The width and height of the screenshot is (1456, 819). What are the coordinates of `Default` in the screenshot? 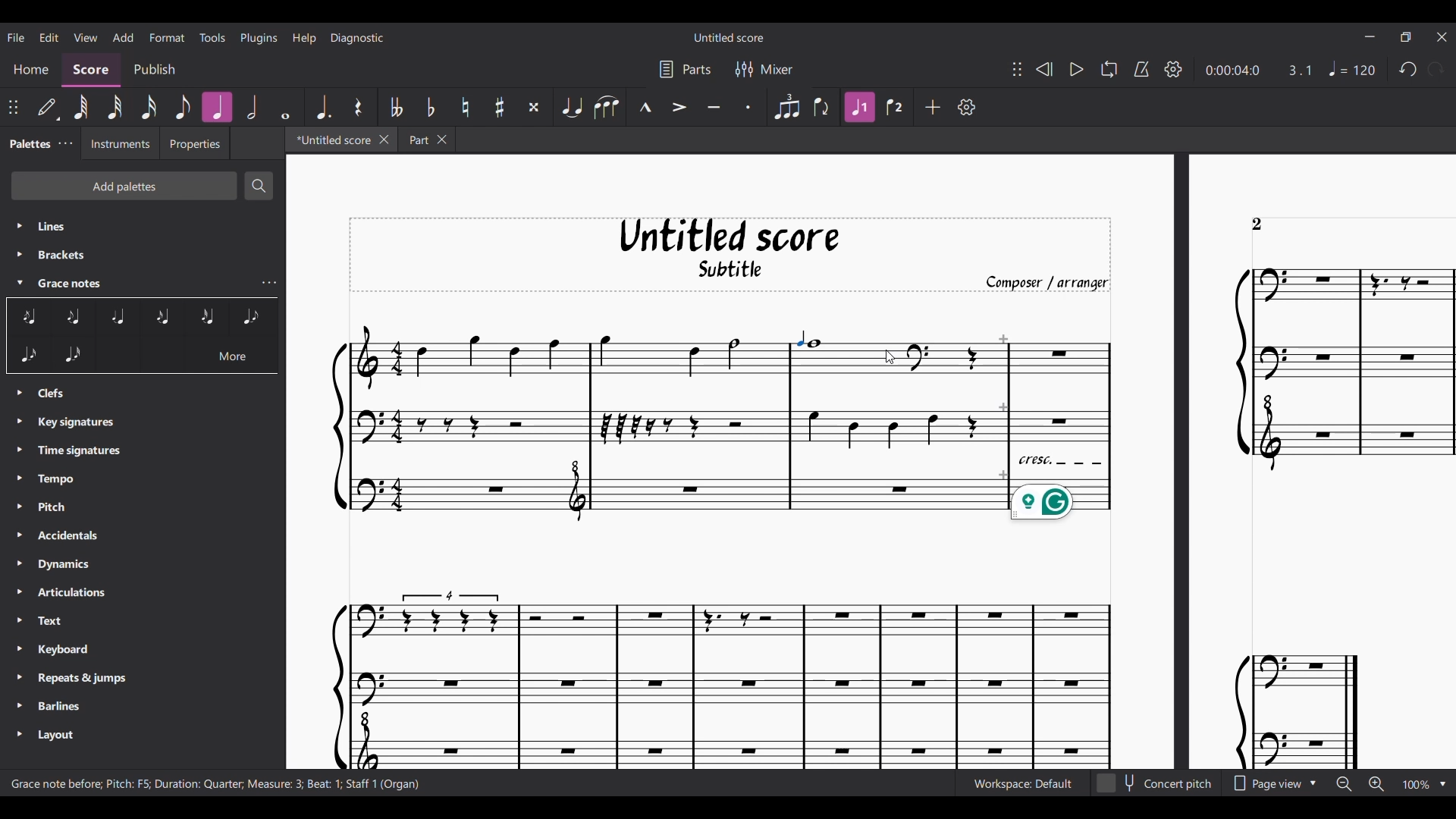 It's located at (49, 108).